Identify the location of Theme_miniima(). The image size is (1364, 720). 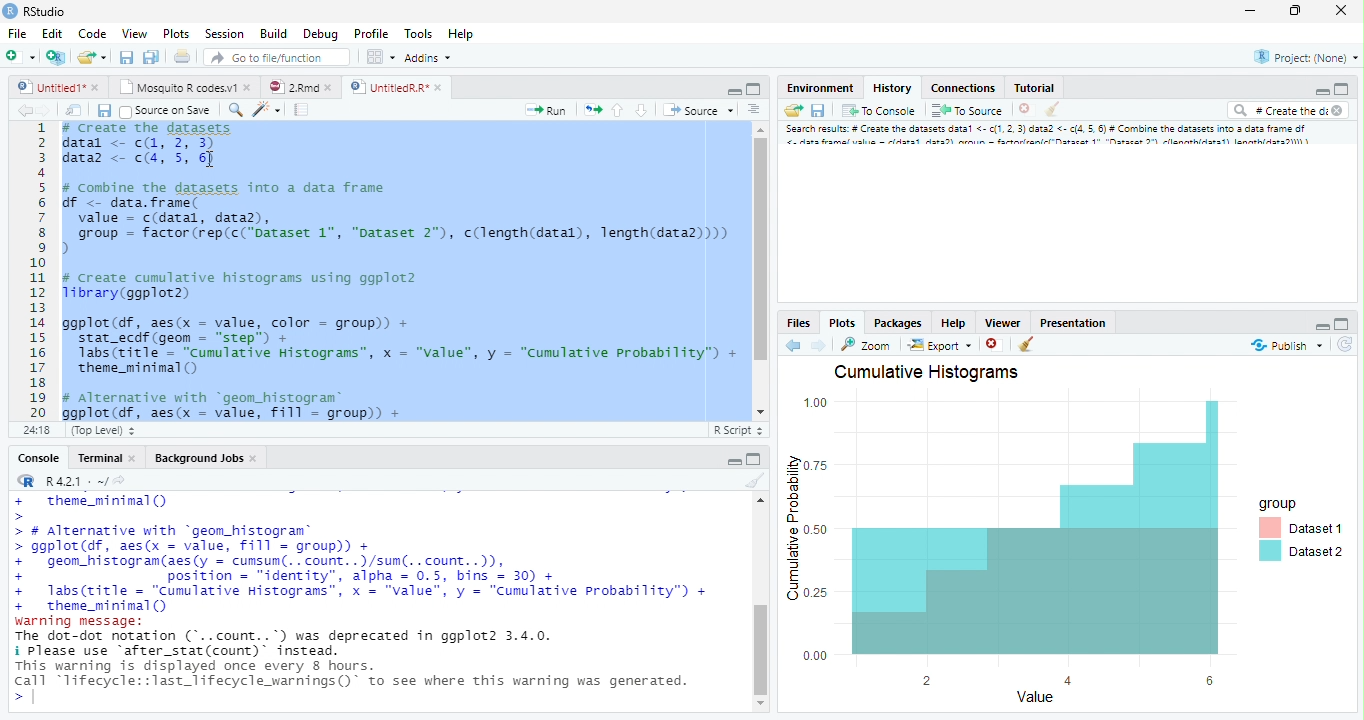
(142, 500).